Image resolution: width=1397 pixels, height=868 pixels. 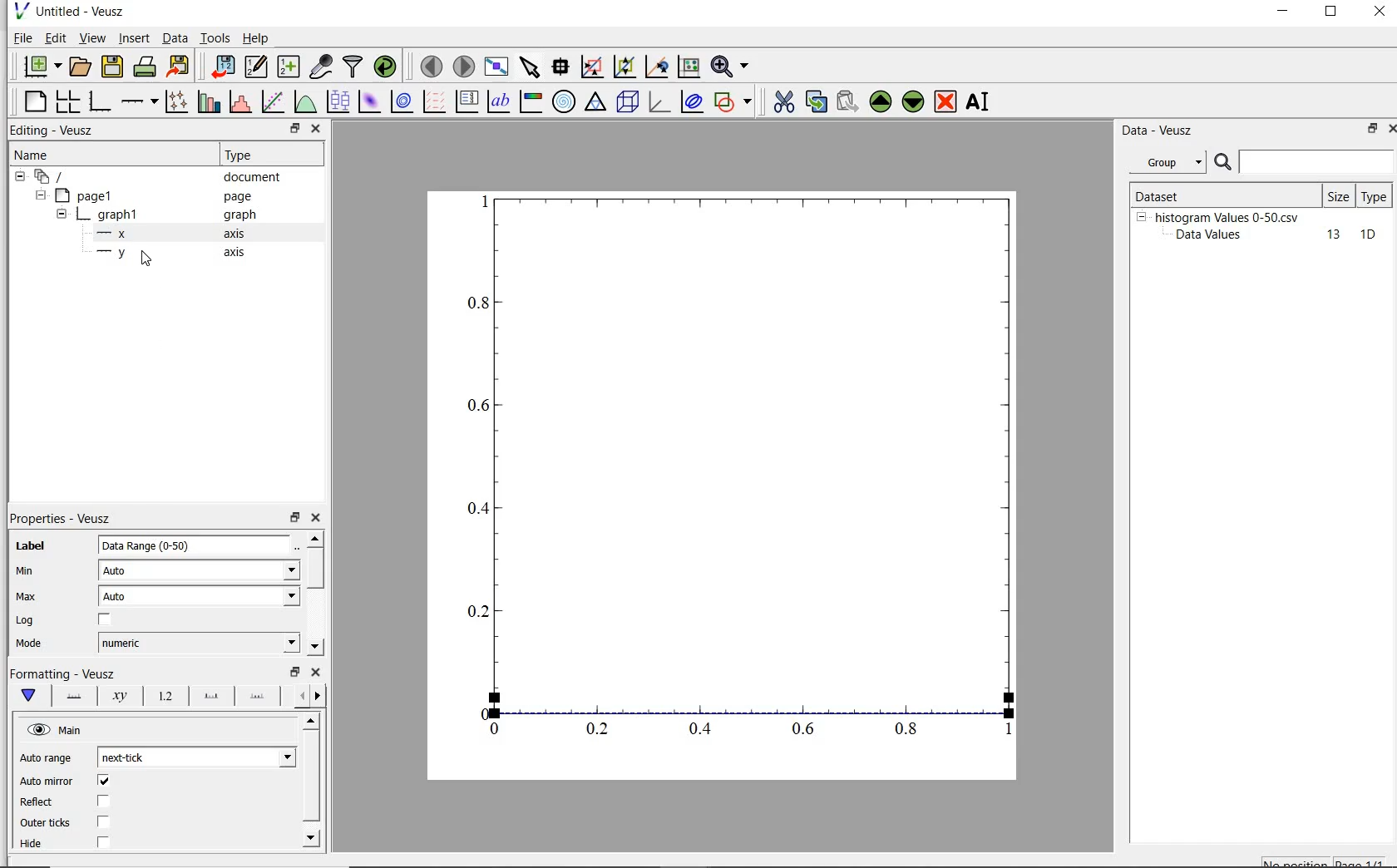 I want to click on checkbox, so click(x=104, y=782).